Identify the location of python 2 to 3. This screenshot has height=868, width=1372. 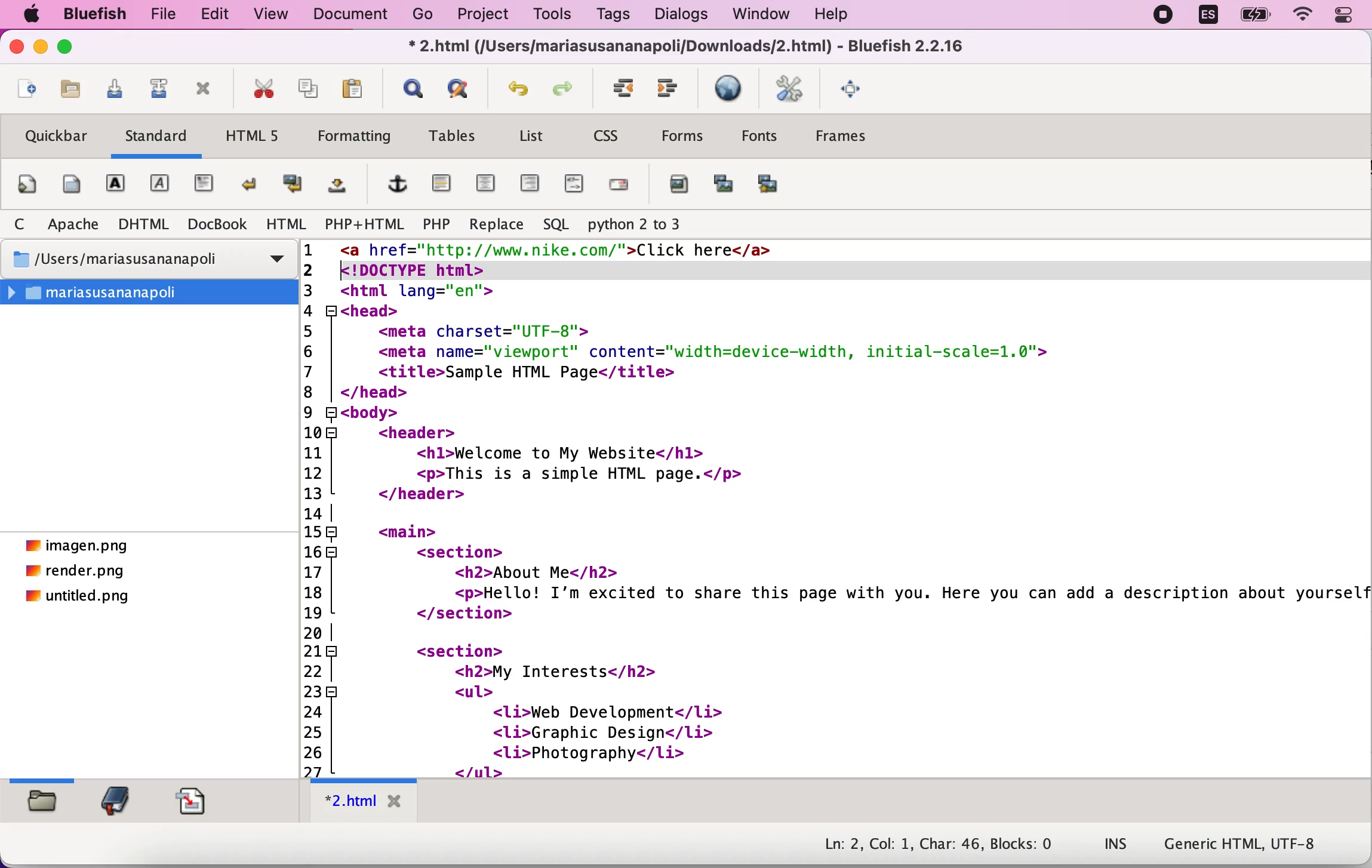
(632, 226).